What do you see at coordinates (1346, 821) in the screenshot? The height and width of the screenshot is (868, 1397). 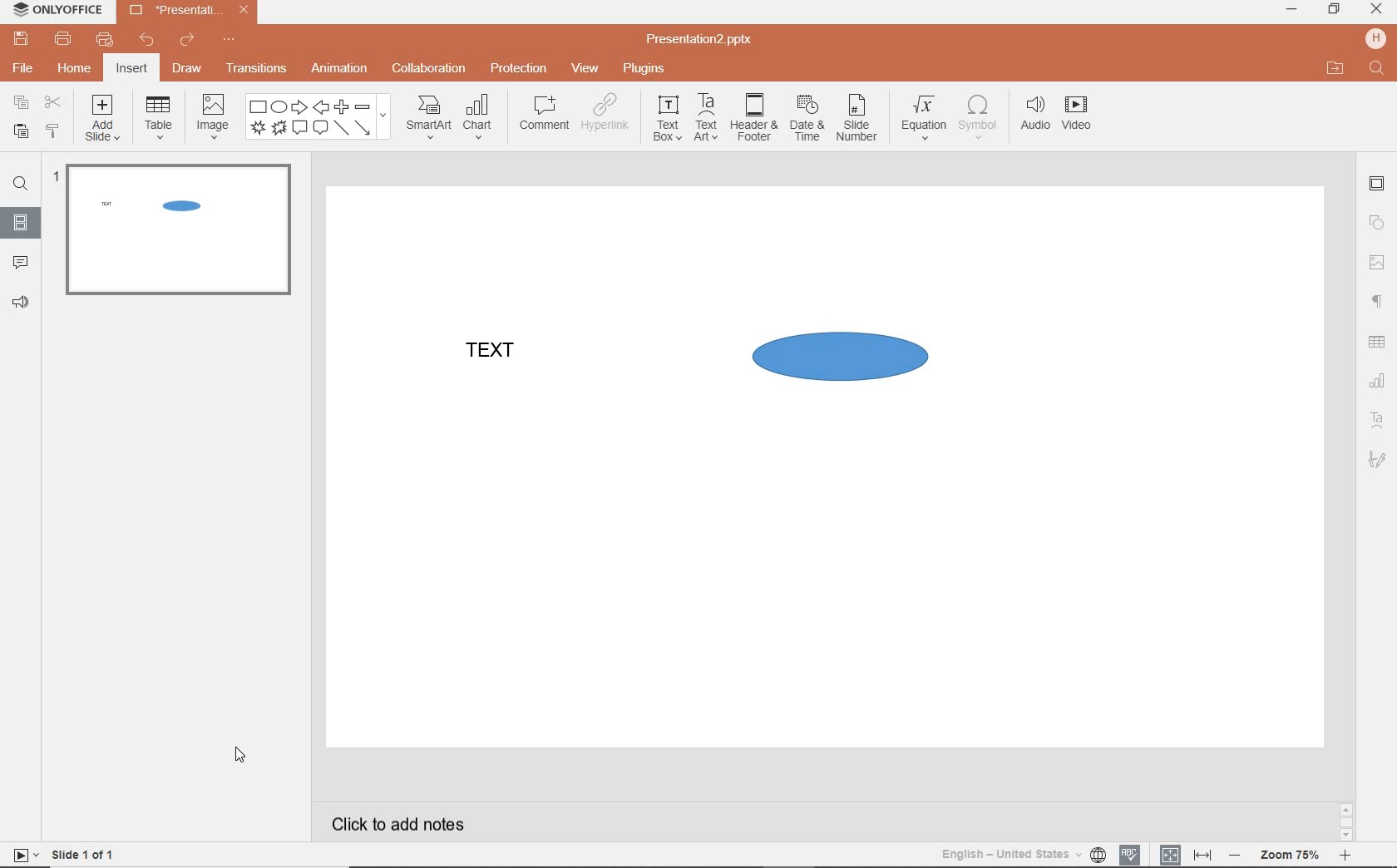 I see `SCROLLBAR` at bounding box center [1346, 821].